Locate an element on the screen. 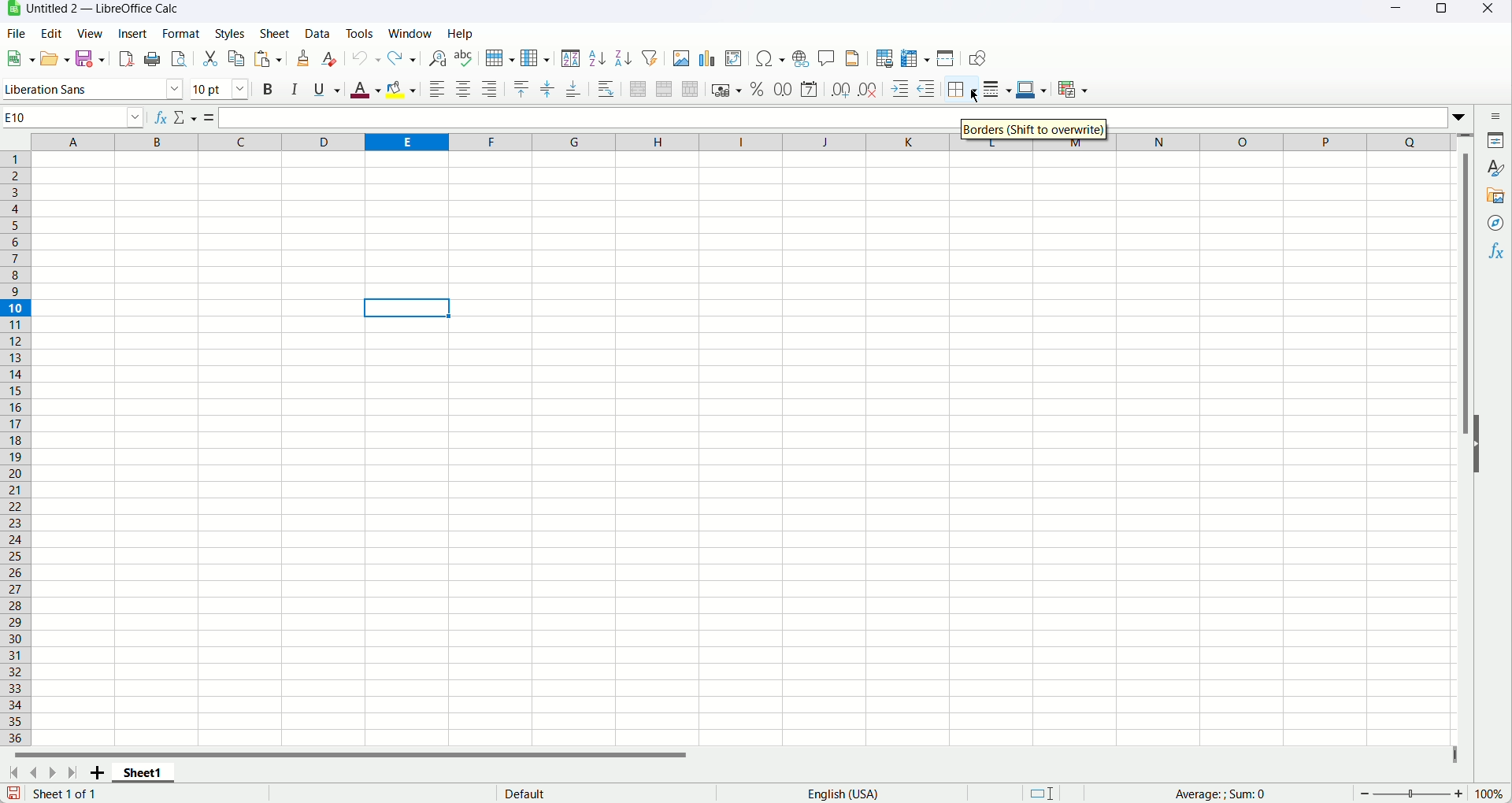  Row is located at coordinates (498, 57).